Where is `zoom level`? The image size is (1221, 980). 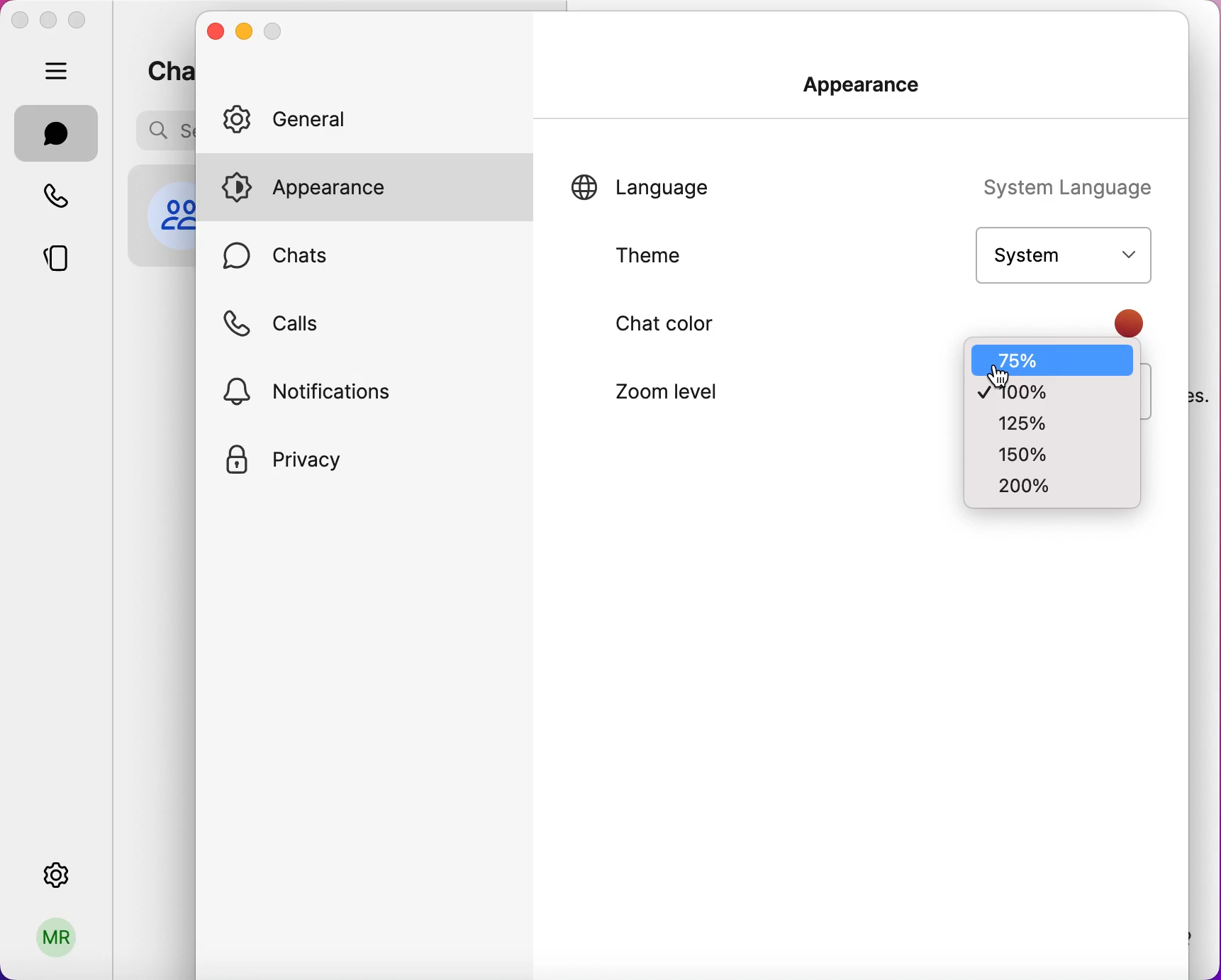 zoom level is located at coordinates (724, 392).